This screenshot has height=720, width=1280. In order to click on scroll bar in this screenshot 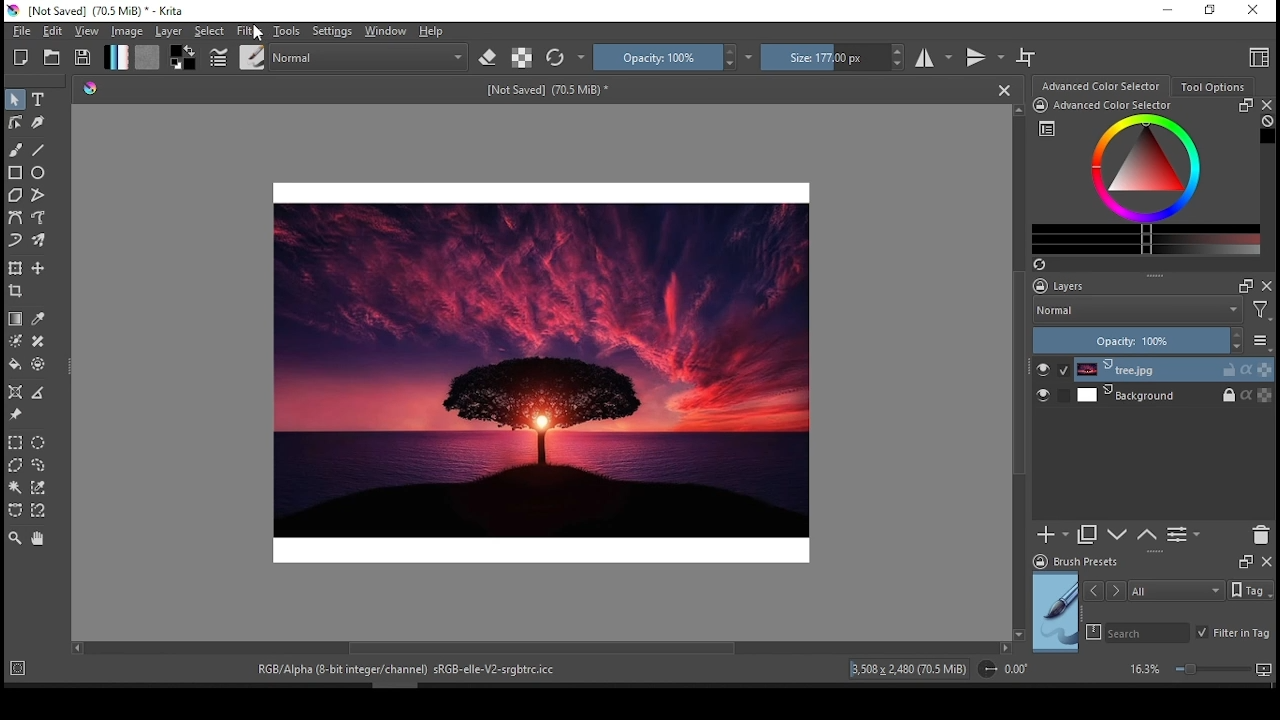, I will do `click(1021, 372)`.